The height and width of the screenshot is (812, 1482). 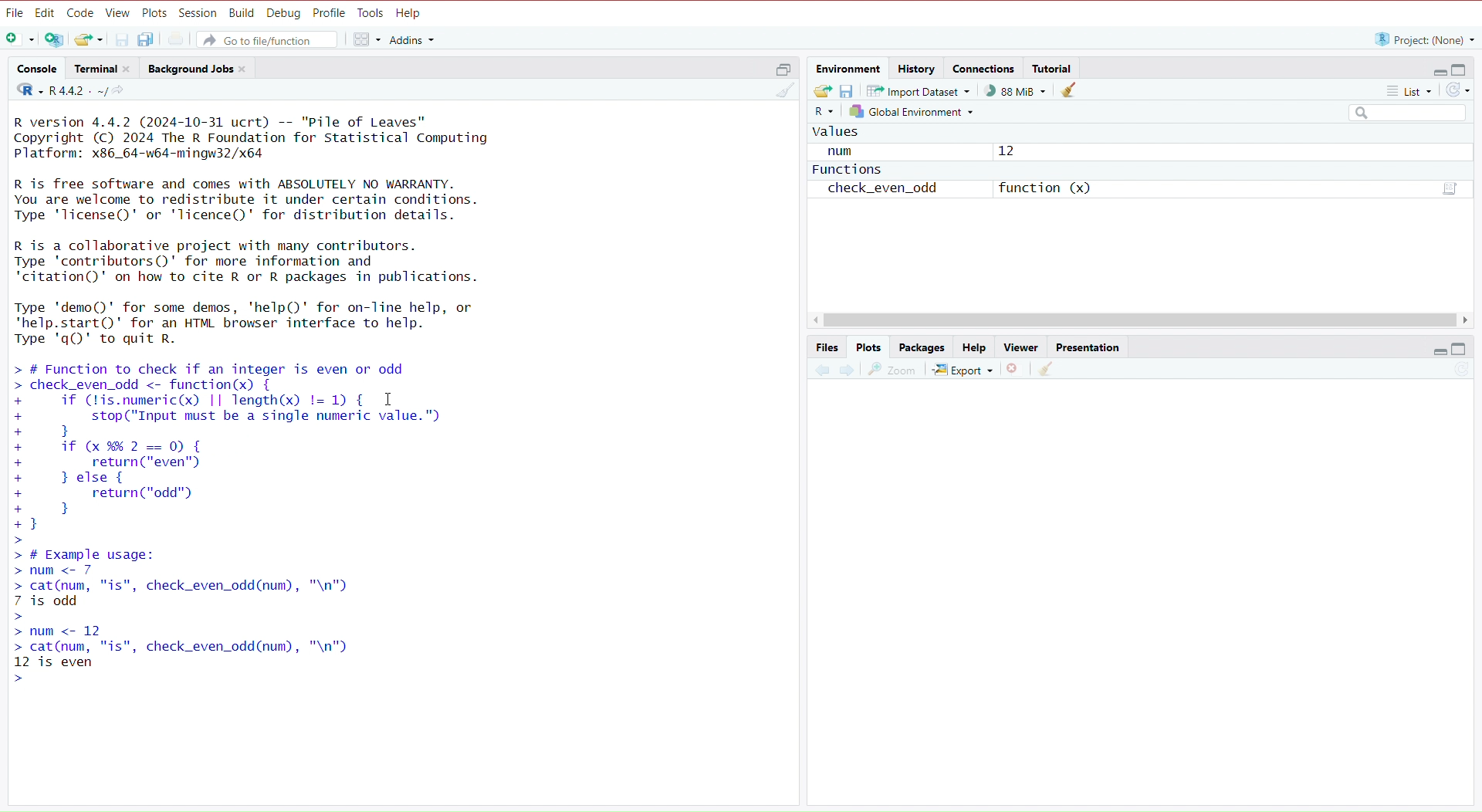 I want to click on build, so click(x=242, y=14).